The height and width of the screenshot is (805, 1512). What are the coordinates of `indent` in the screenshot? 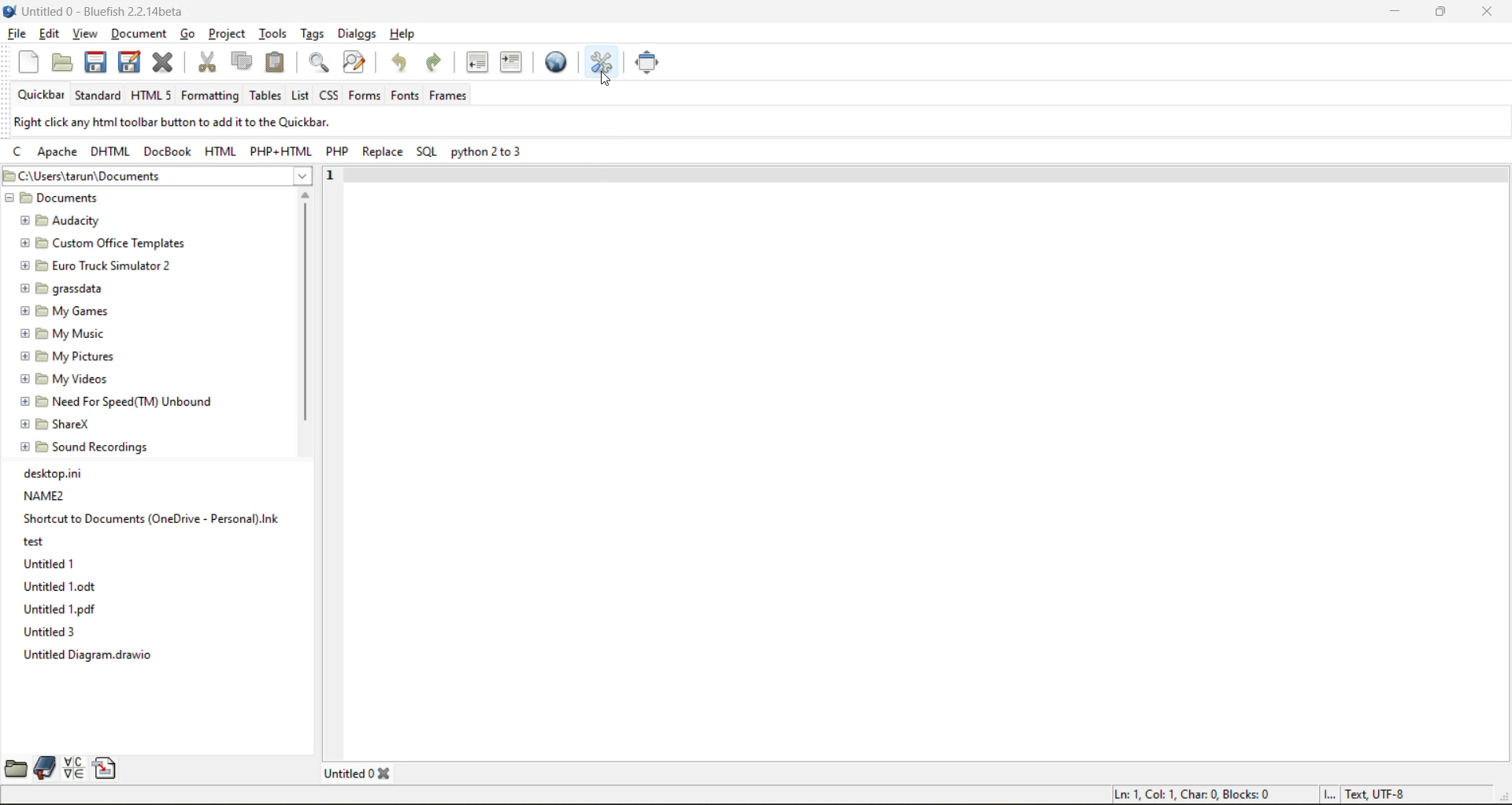 It's located at (513, 65).